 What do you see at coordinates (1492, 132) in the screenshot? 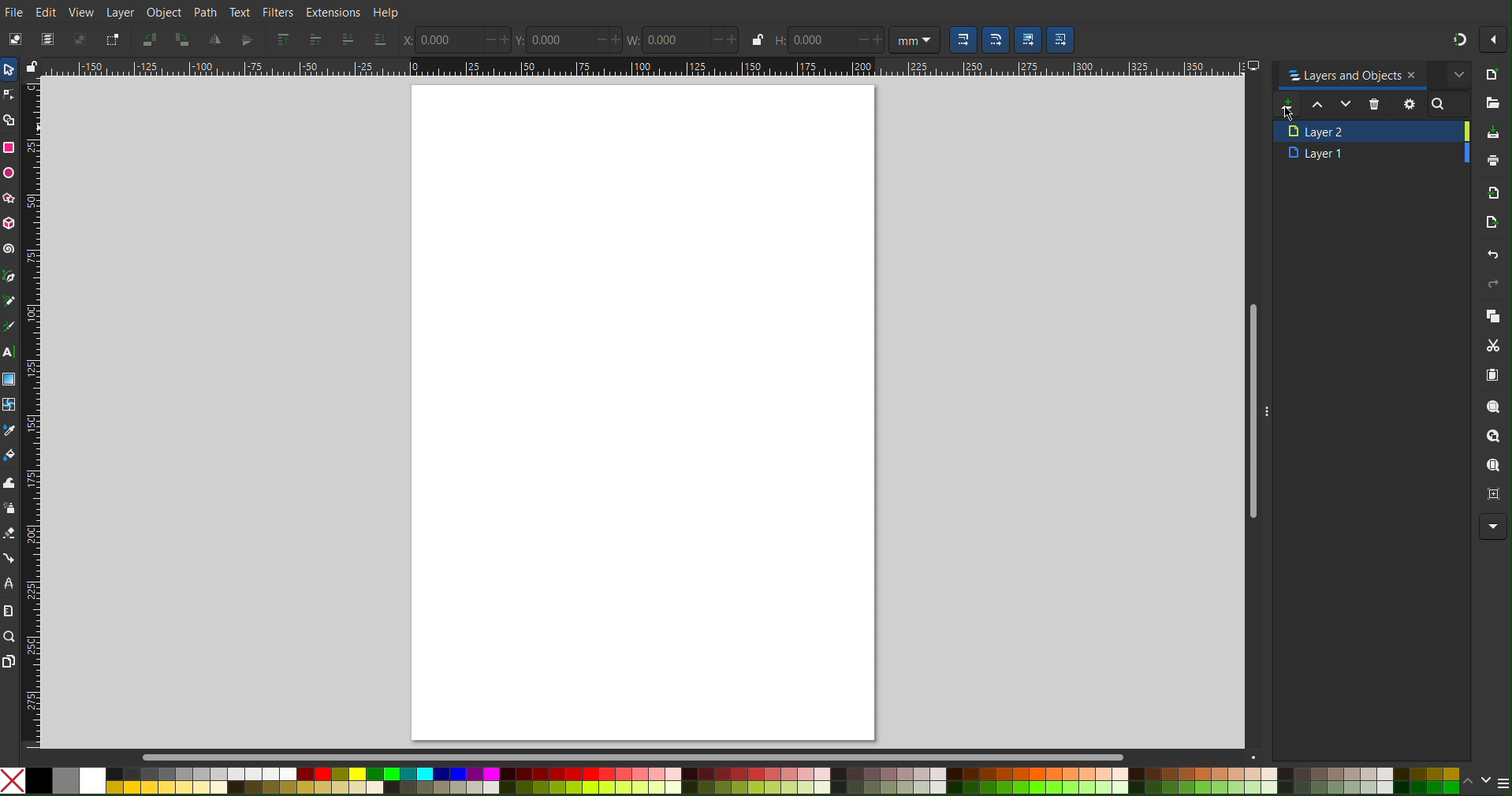
I see `Save` at bounding box center [1492, 132].